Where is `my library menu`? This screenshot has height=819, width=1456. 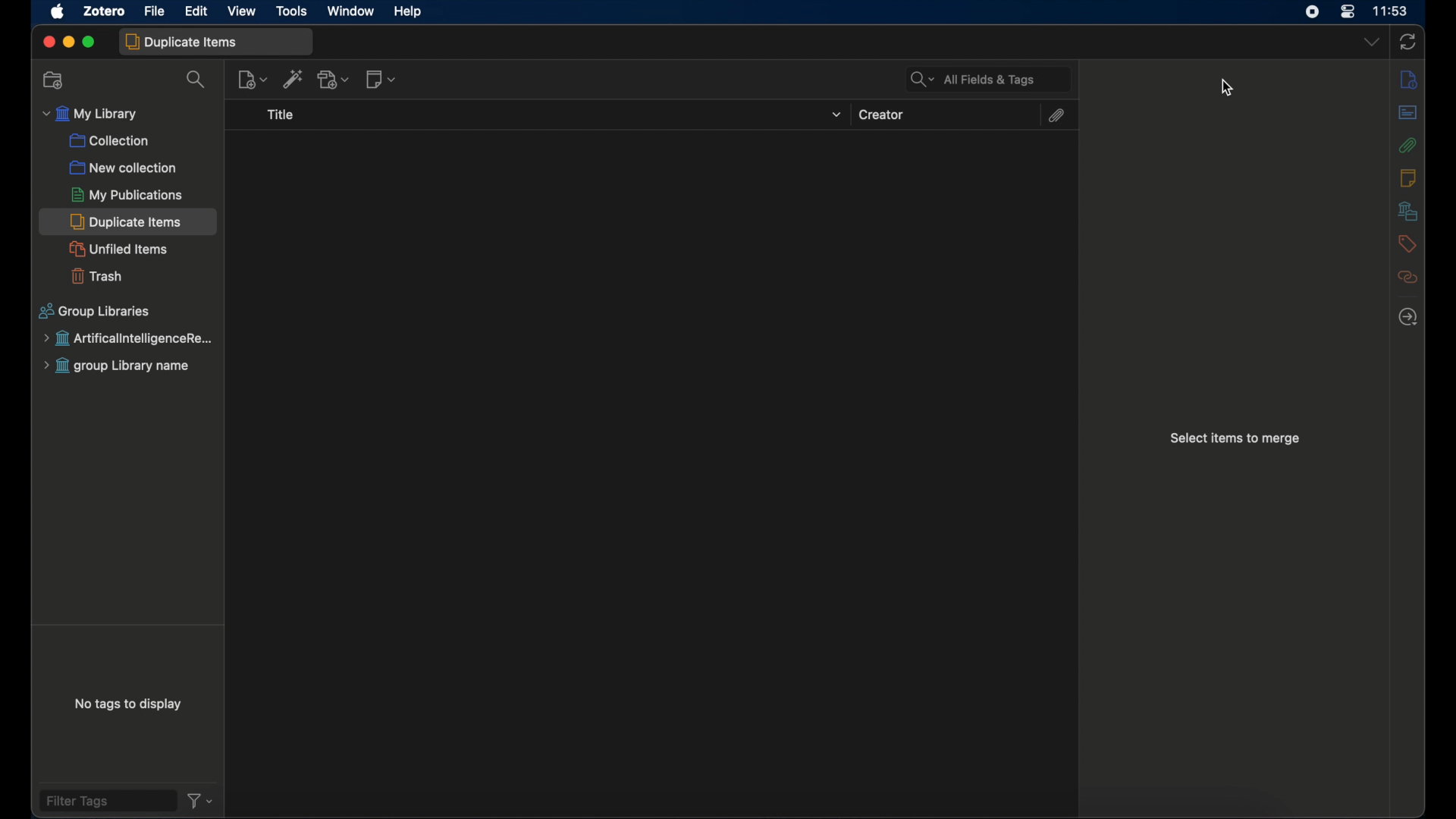
my library menu is located at coordinates (91, 115).